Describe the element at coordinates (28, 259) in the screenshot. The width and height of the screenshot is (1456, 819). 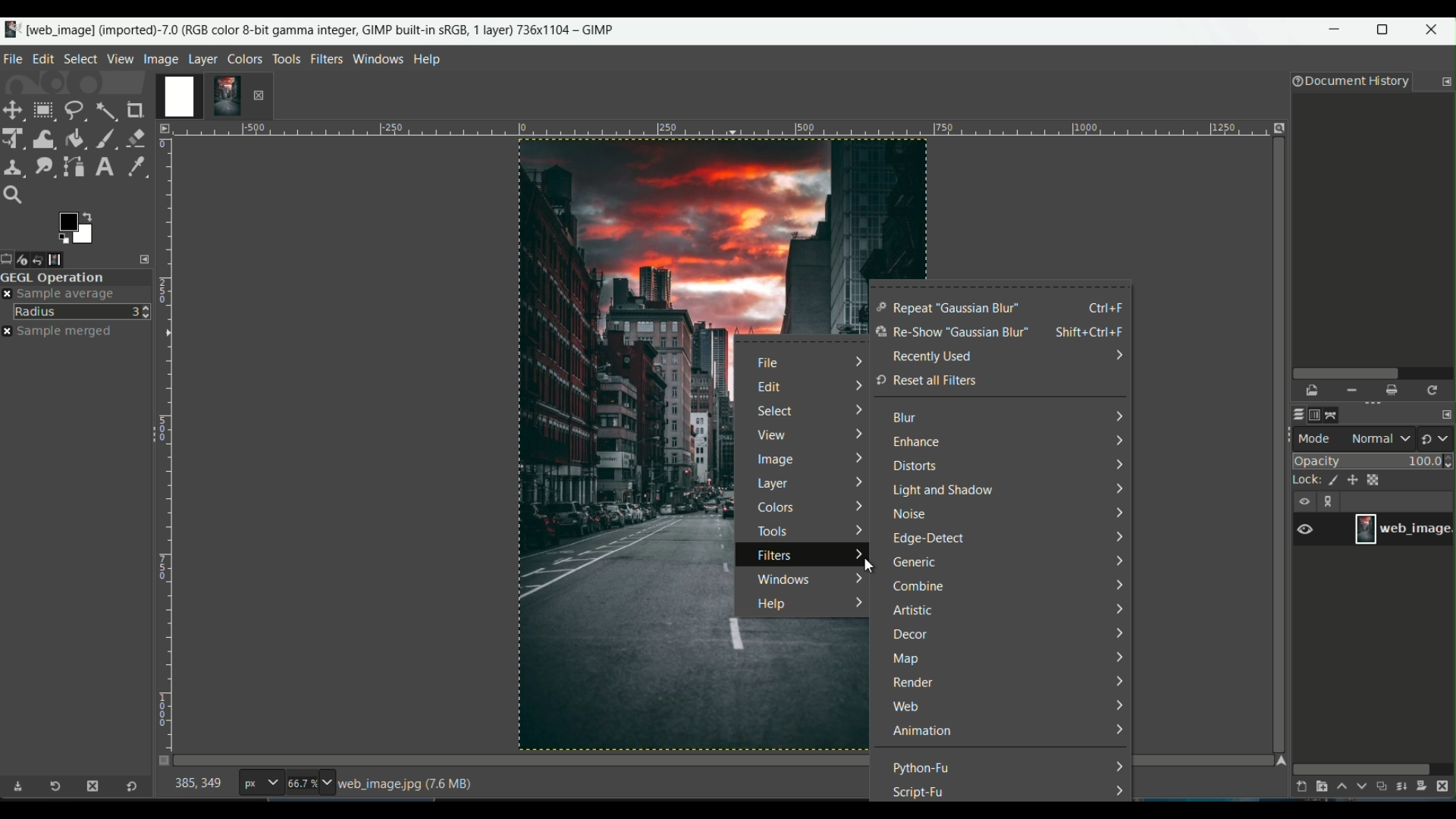
I see `device status` at that location.